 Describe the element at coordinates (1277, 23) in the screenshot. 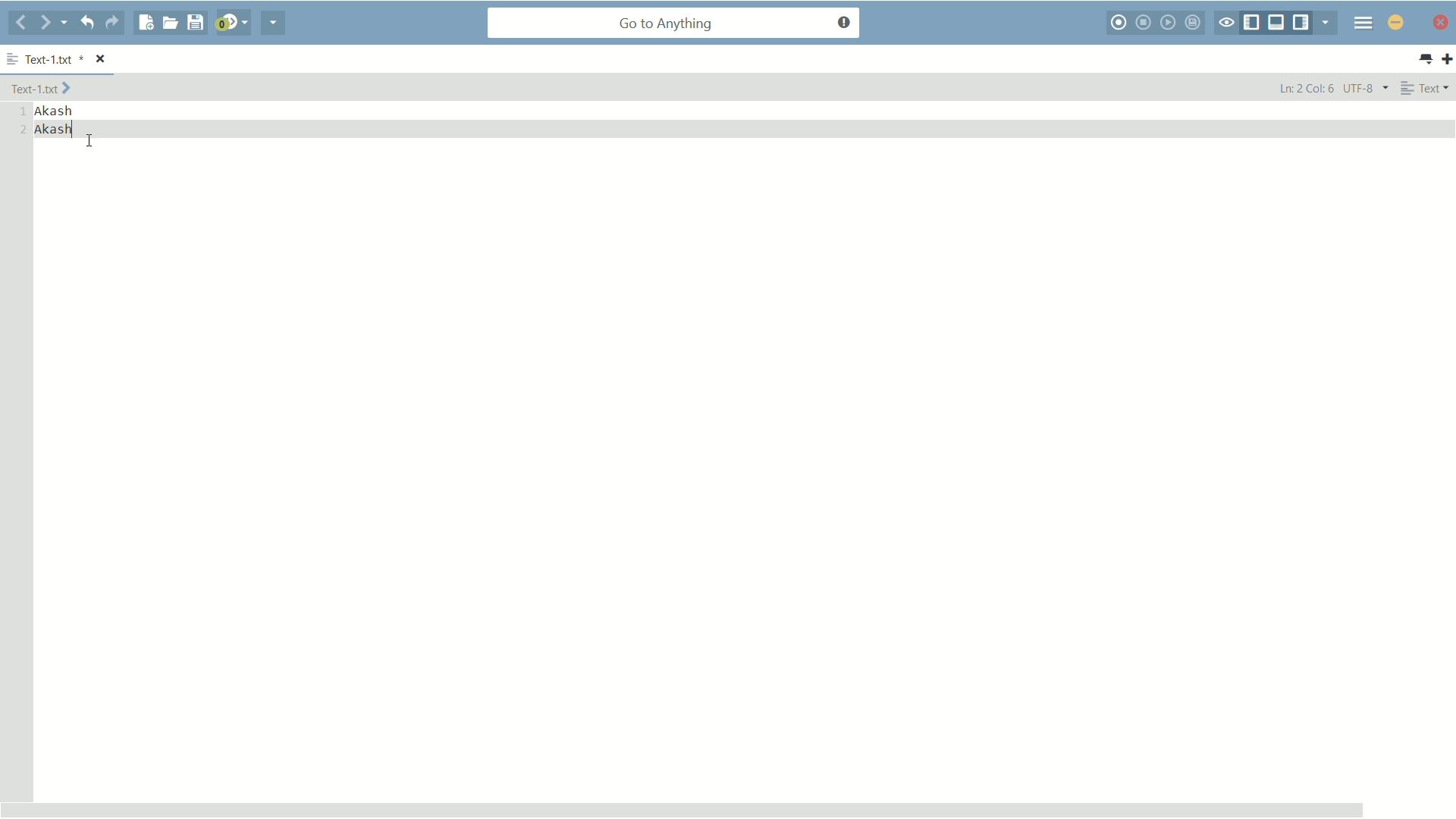

I see `show/hide bottom panel` at that location.